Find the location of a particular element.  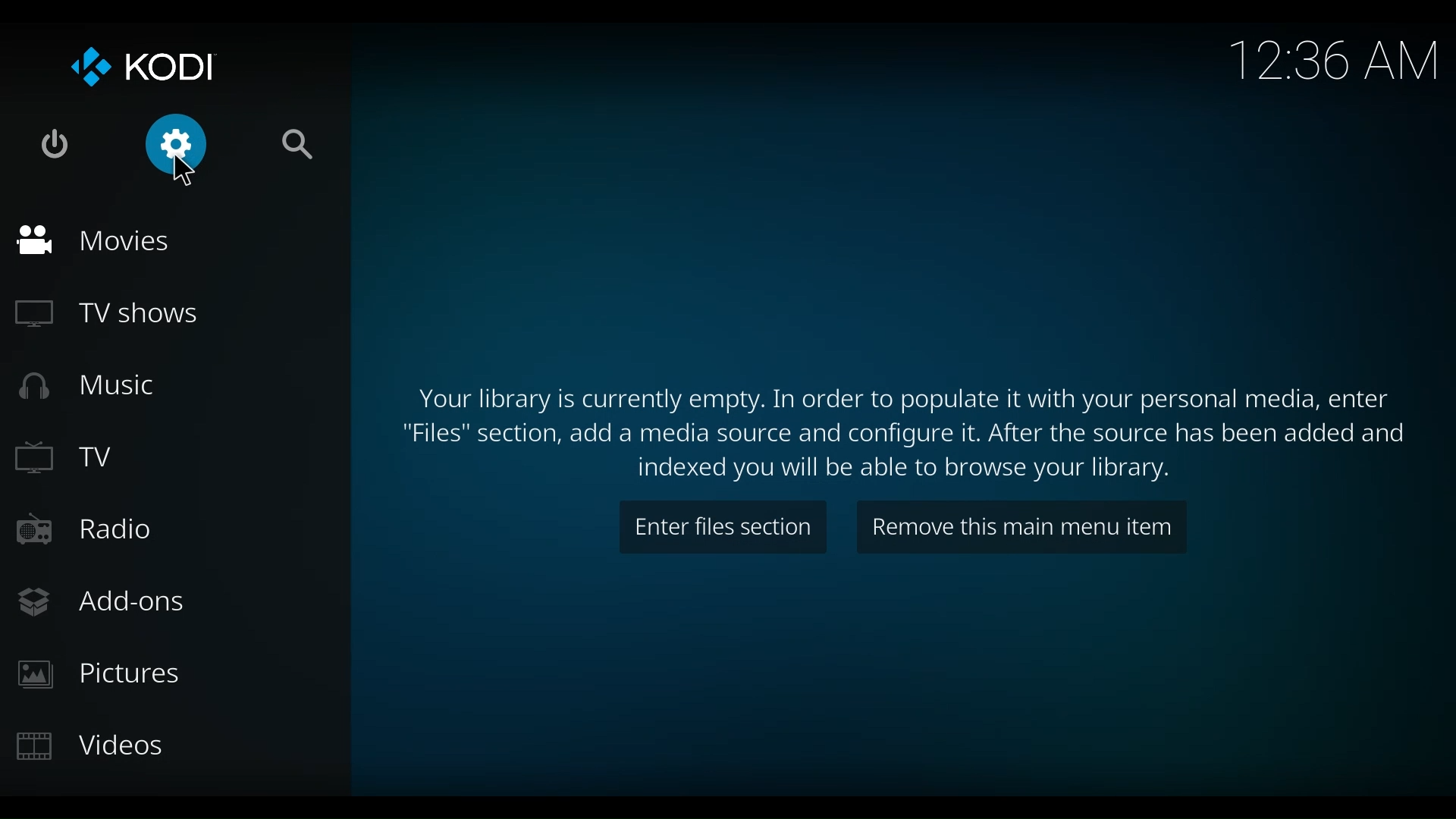

cursor is located at coordinates (187, 170).